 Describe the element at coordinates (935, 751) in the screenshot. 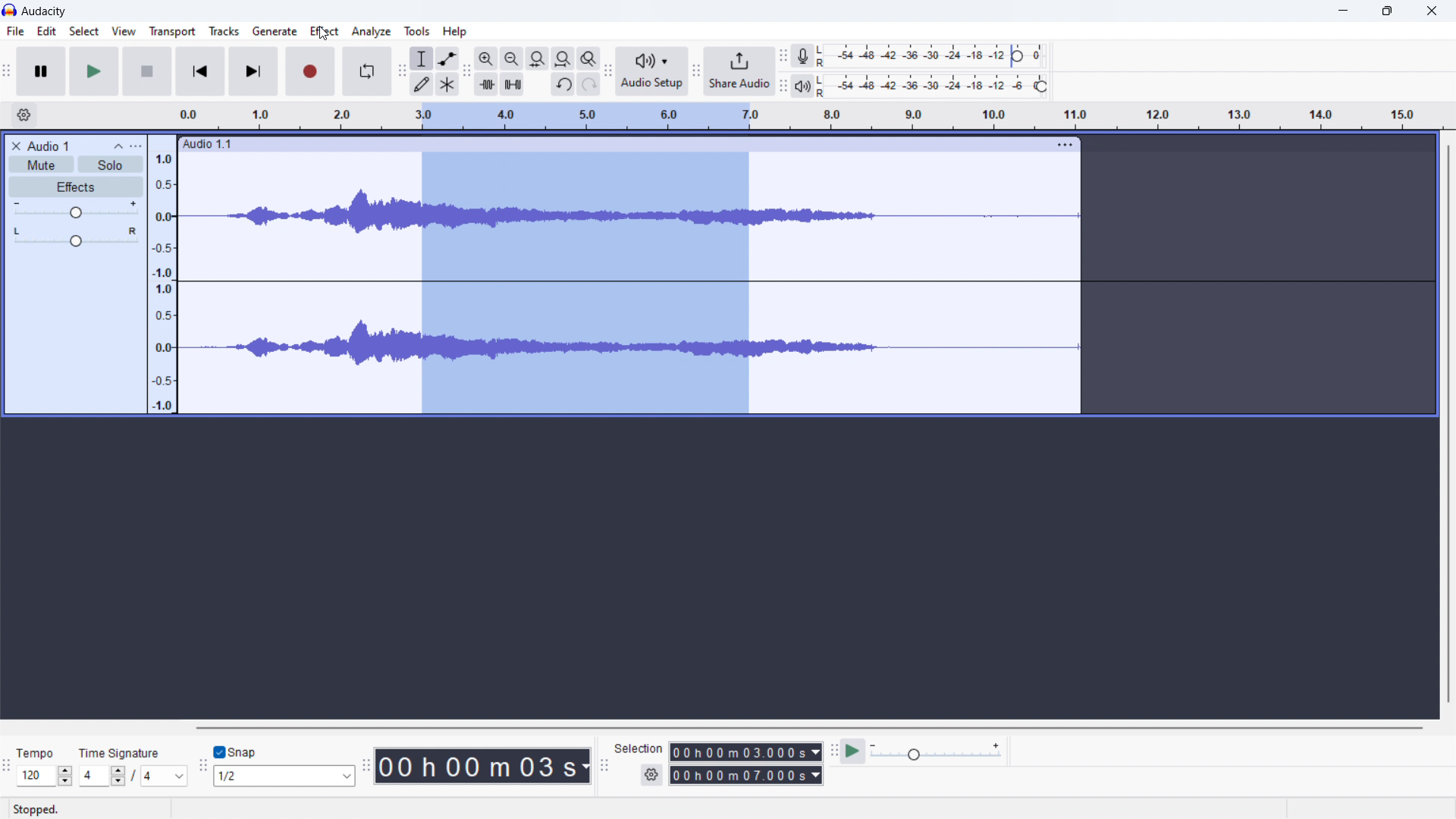

I see `playback speed` at that location.